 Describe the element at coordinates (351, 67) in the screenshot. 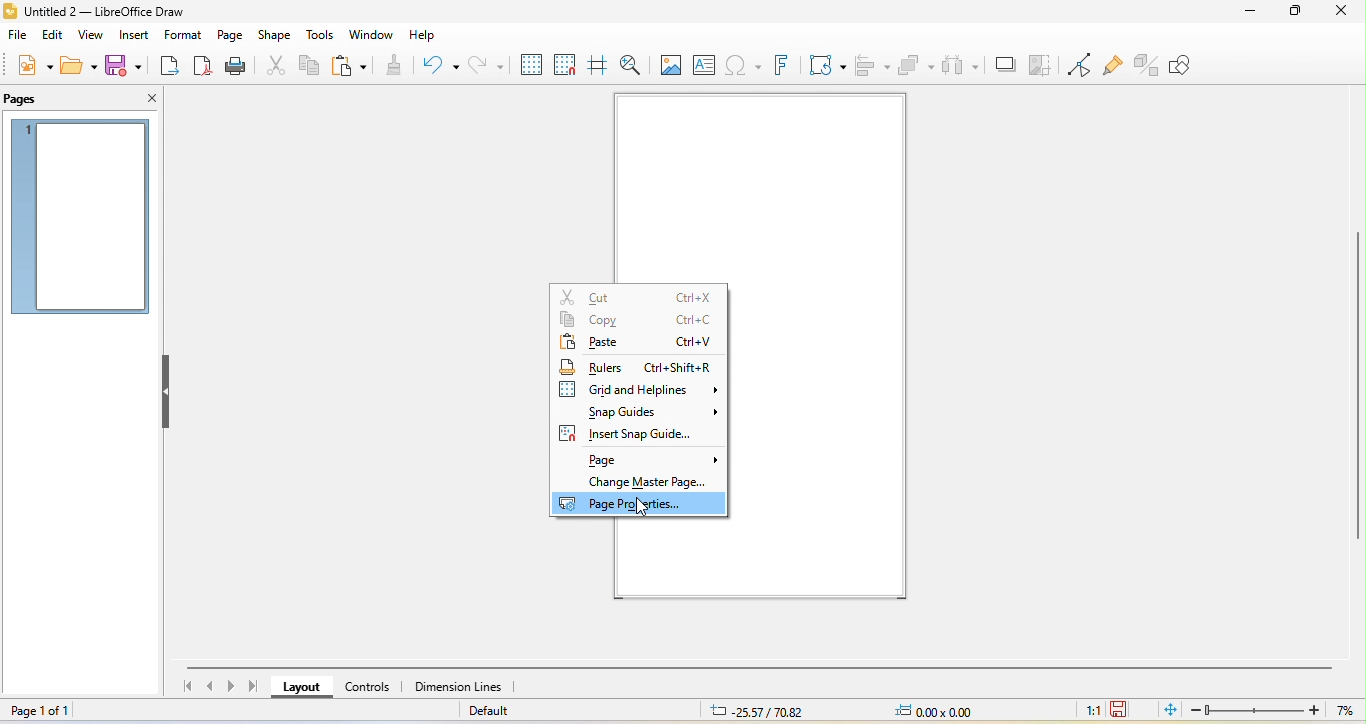

I see `paste` at that location.